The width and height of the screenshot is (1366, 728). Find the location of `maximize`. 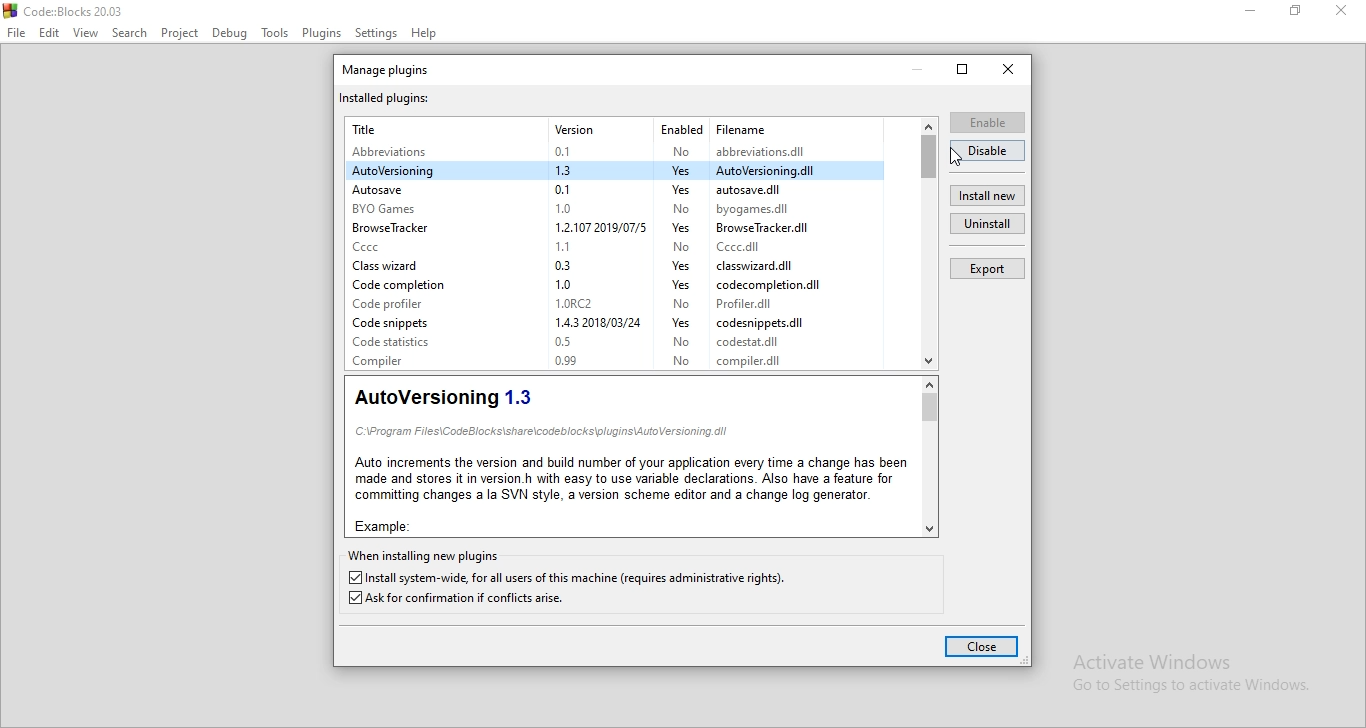

maximize is located at coordinates (1295, 10).